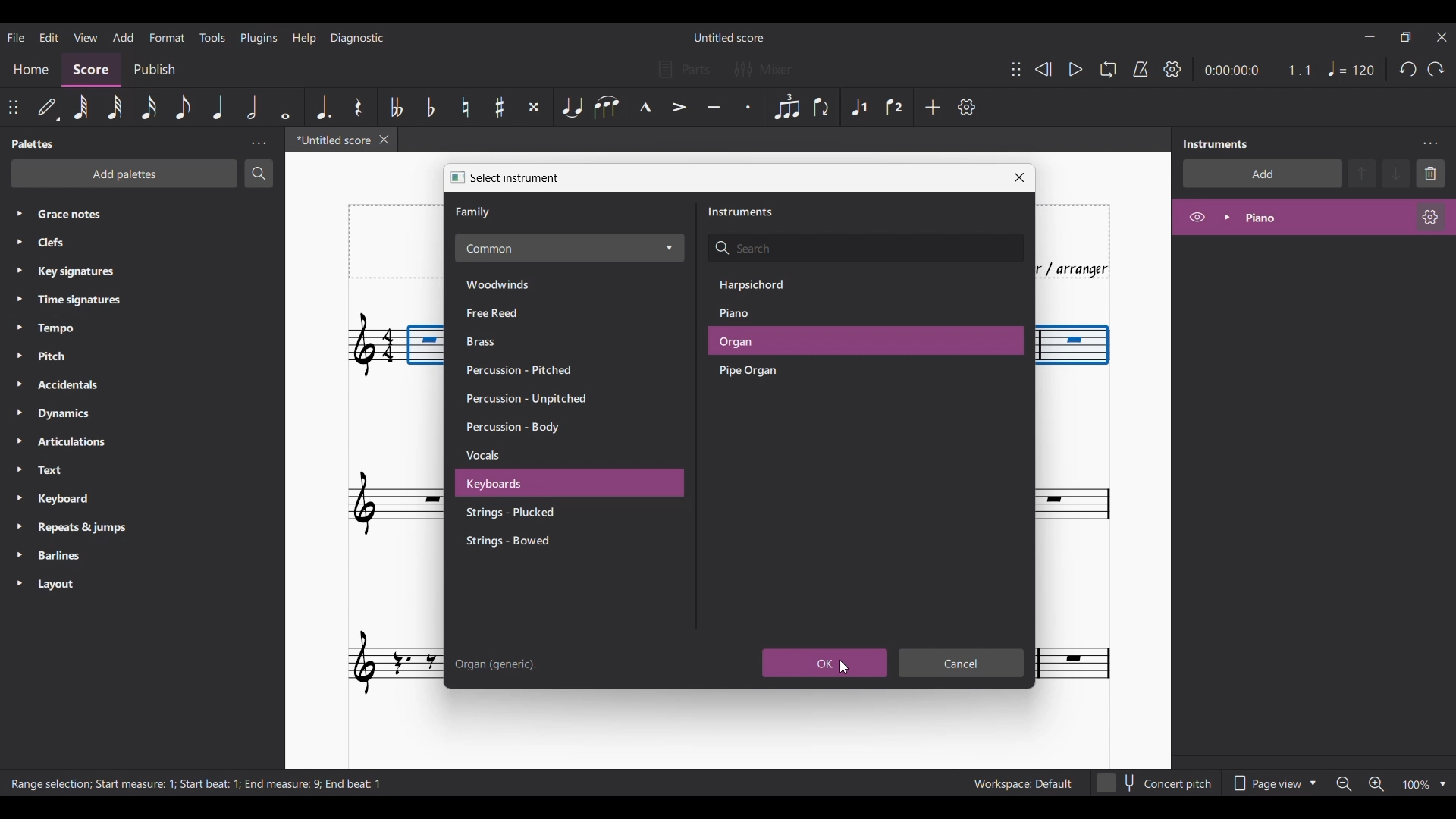  I want to click on Customize toolbar, so click(967, 107).